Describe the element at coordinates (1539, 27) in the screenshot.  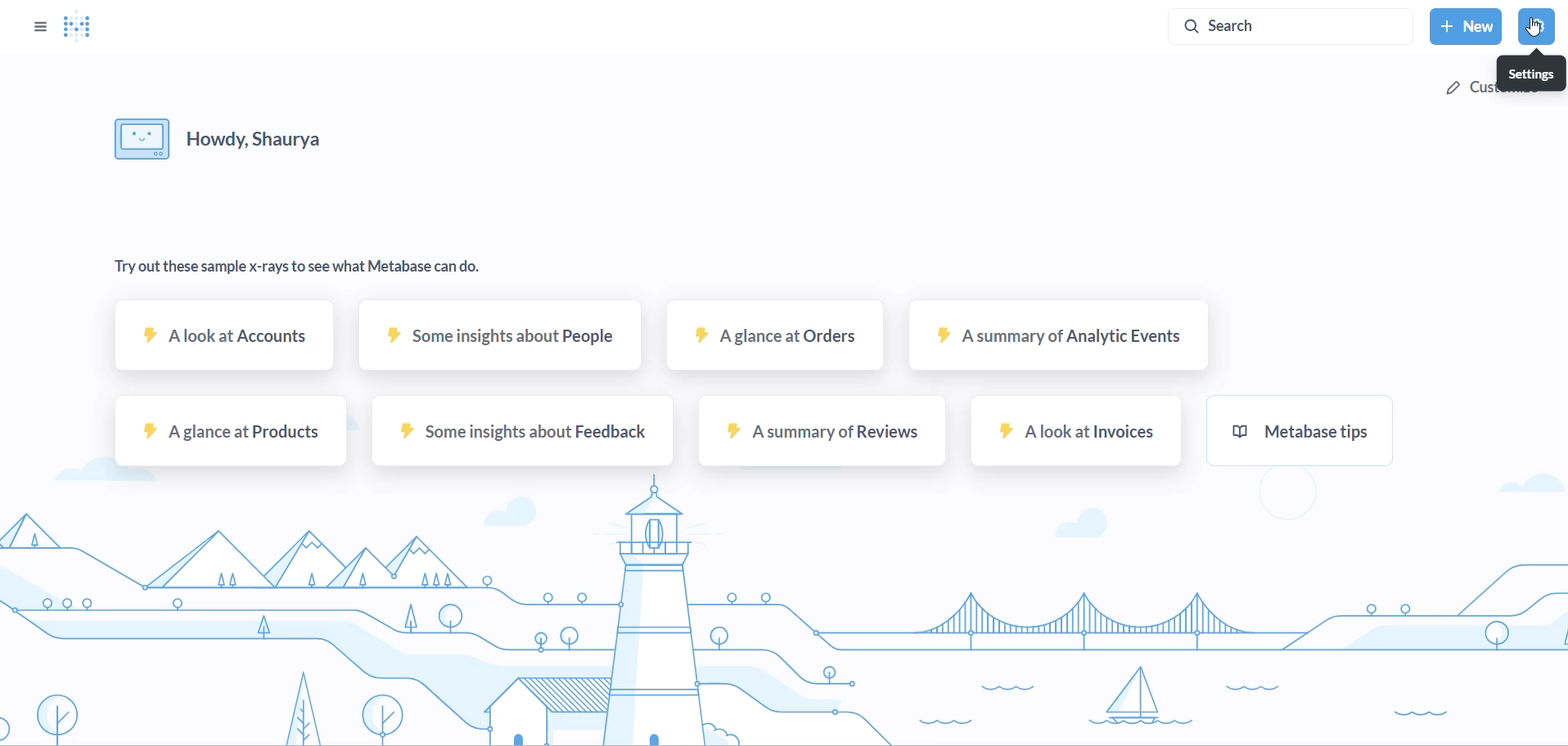
I see `SETTINGS` at that location.